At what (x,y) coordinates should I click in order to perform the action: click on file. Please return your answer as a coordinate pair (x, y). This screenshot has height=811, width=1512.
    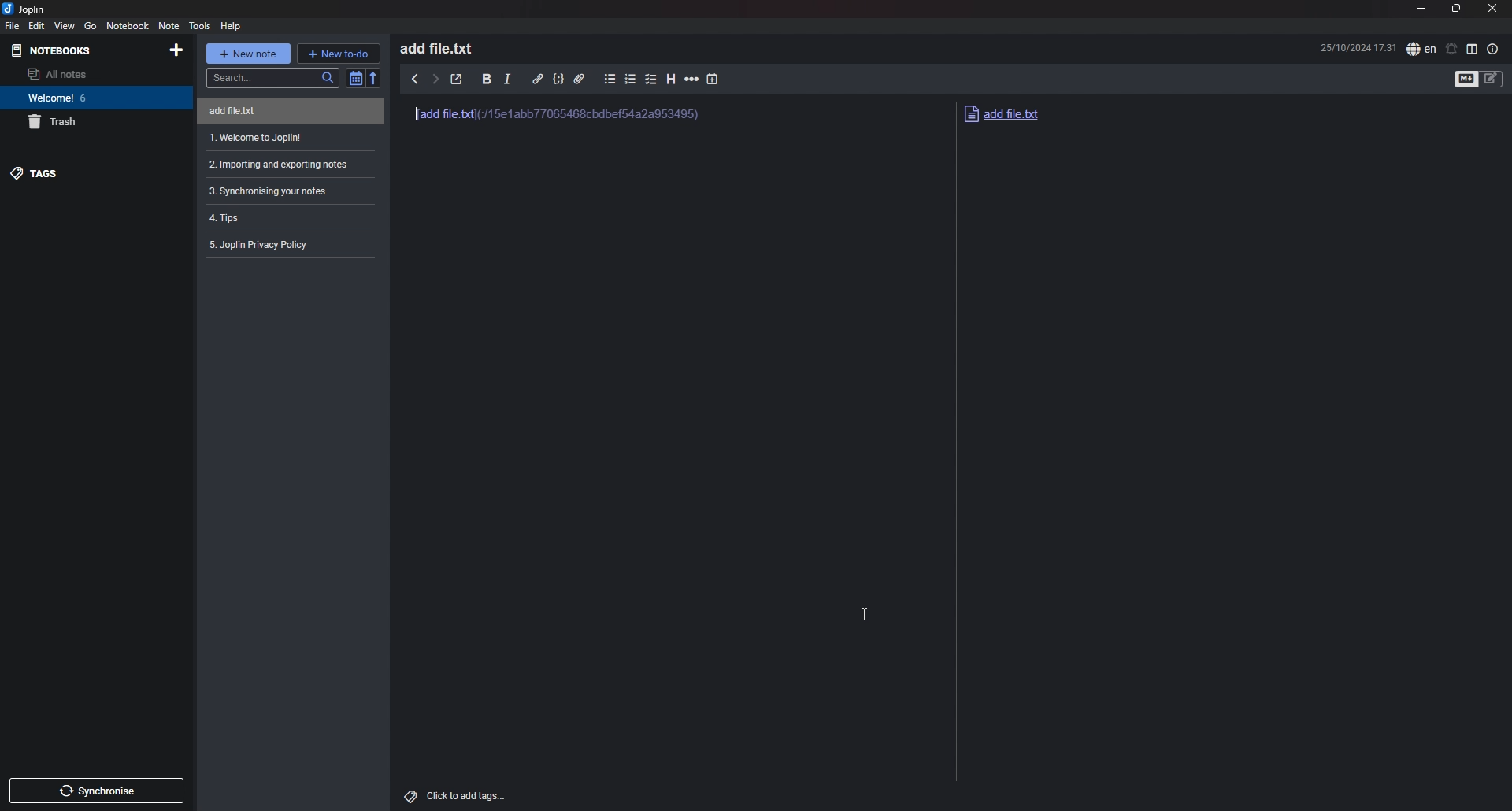
    Looking at the image, I should click on (12, 25).